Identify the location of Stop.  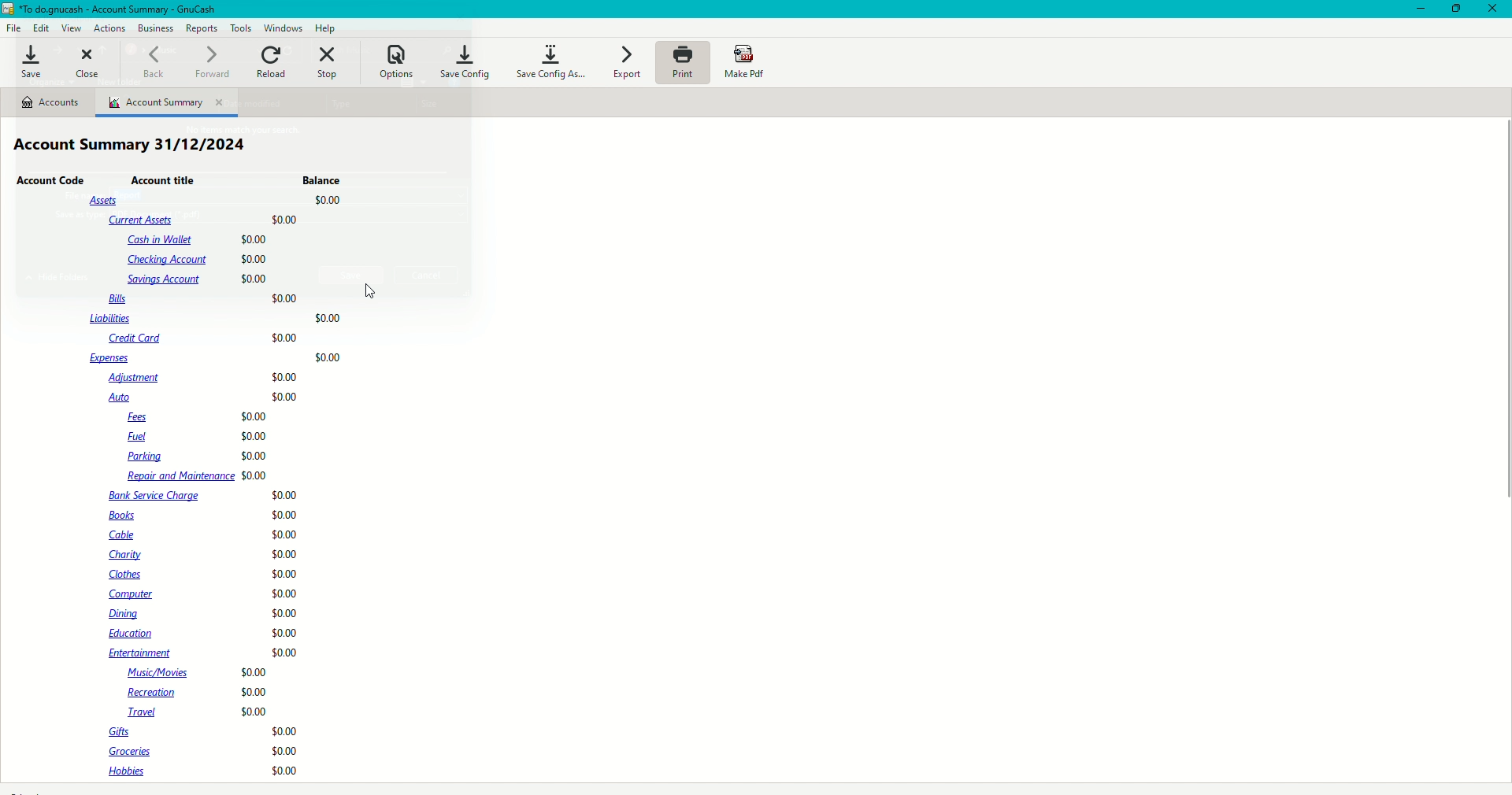
(328, 61).